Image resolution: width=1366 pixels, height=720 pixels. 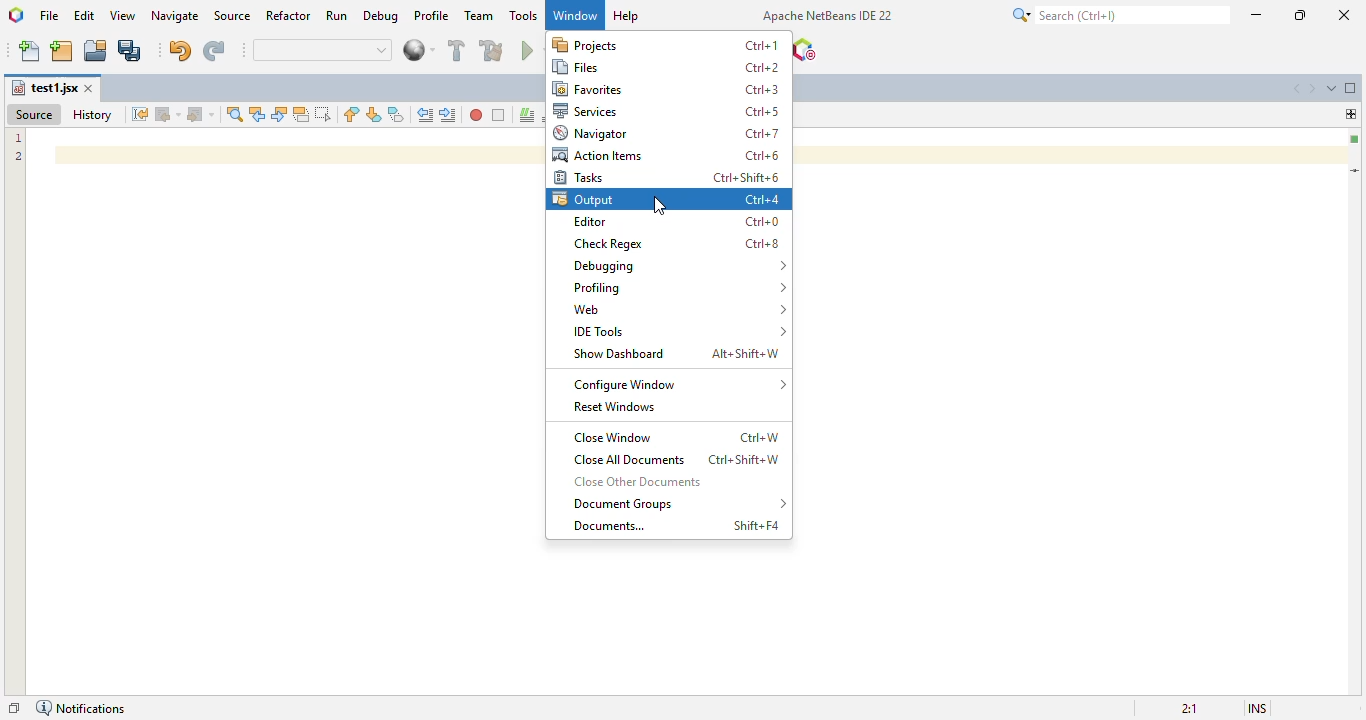 I want to click on source, so click(x=234, y=15).